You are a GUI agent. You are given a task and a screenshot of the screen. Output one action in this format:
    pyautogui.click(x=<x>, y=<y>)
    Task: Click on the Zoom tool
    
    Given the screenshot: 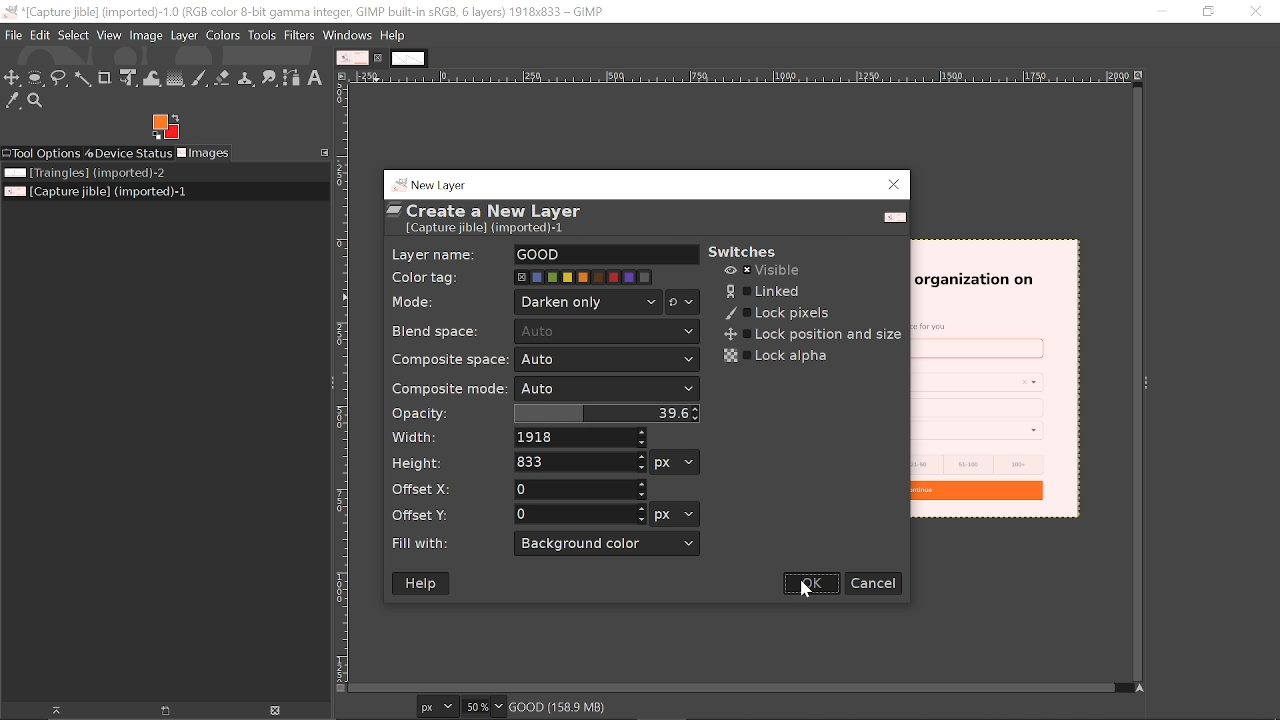 What is the action you would take?
    pyautogui.click(x=37, y=101)
    